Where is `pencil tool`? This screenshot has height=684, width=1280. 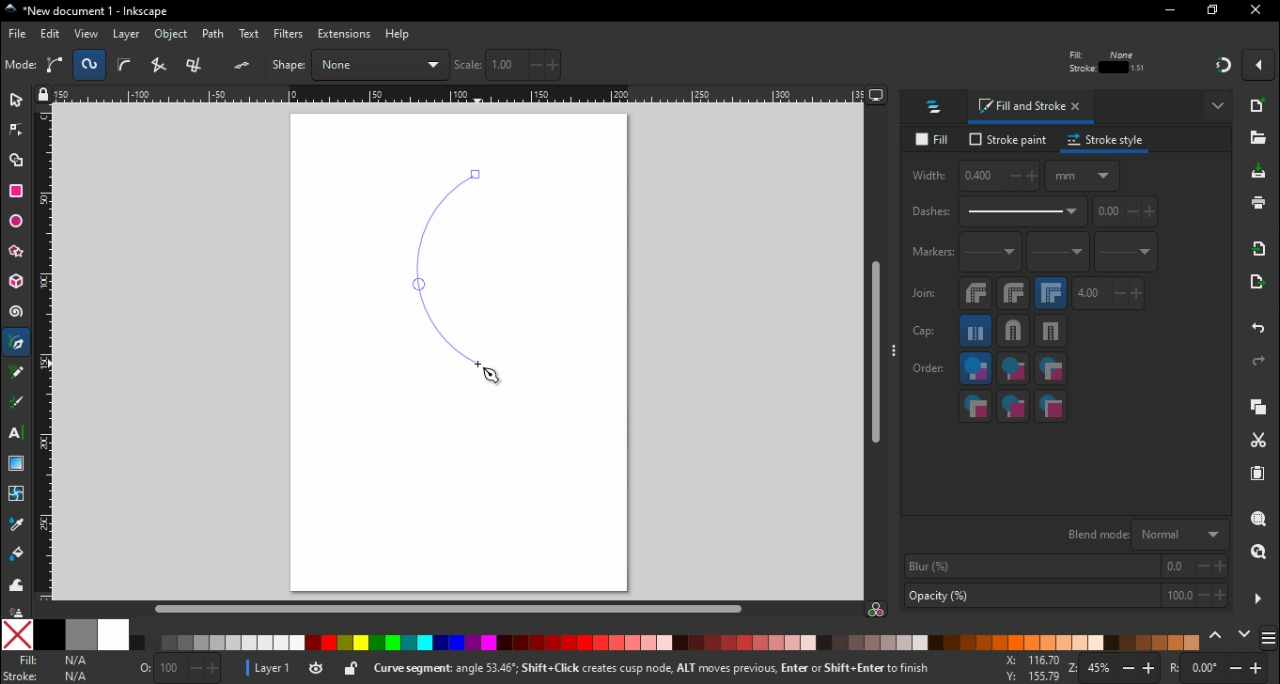 pencil tool is located at coordinates (17, 379).